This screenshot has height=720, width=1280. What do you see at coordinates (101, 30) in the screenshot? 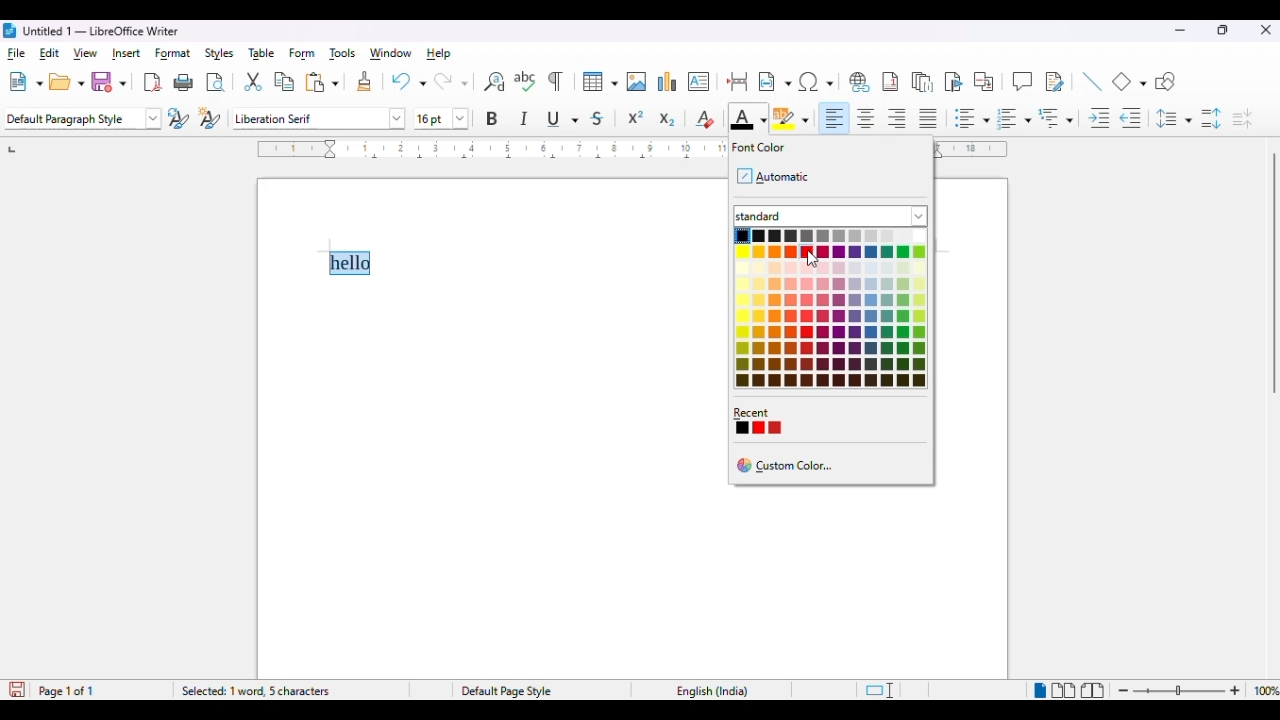
I see `title` at bounding box center [101, 30].